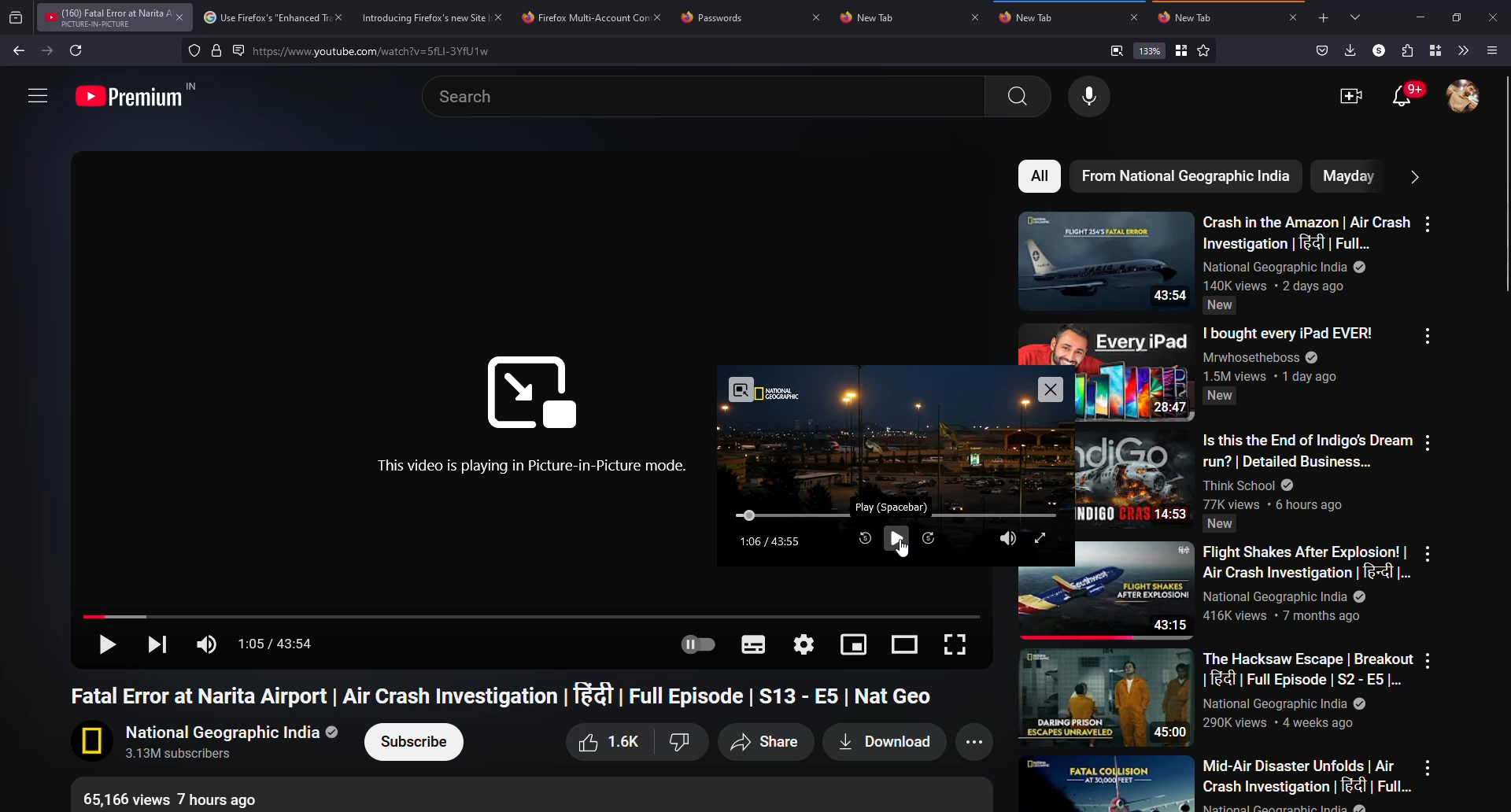  Describe the element at coordinates (194, 50) in the screenshot. I see `tracking` at that location.